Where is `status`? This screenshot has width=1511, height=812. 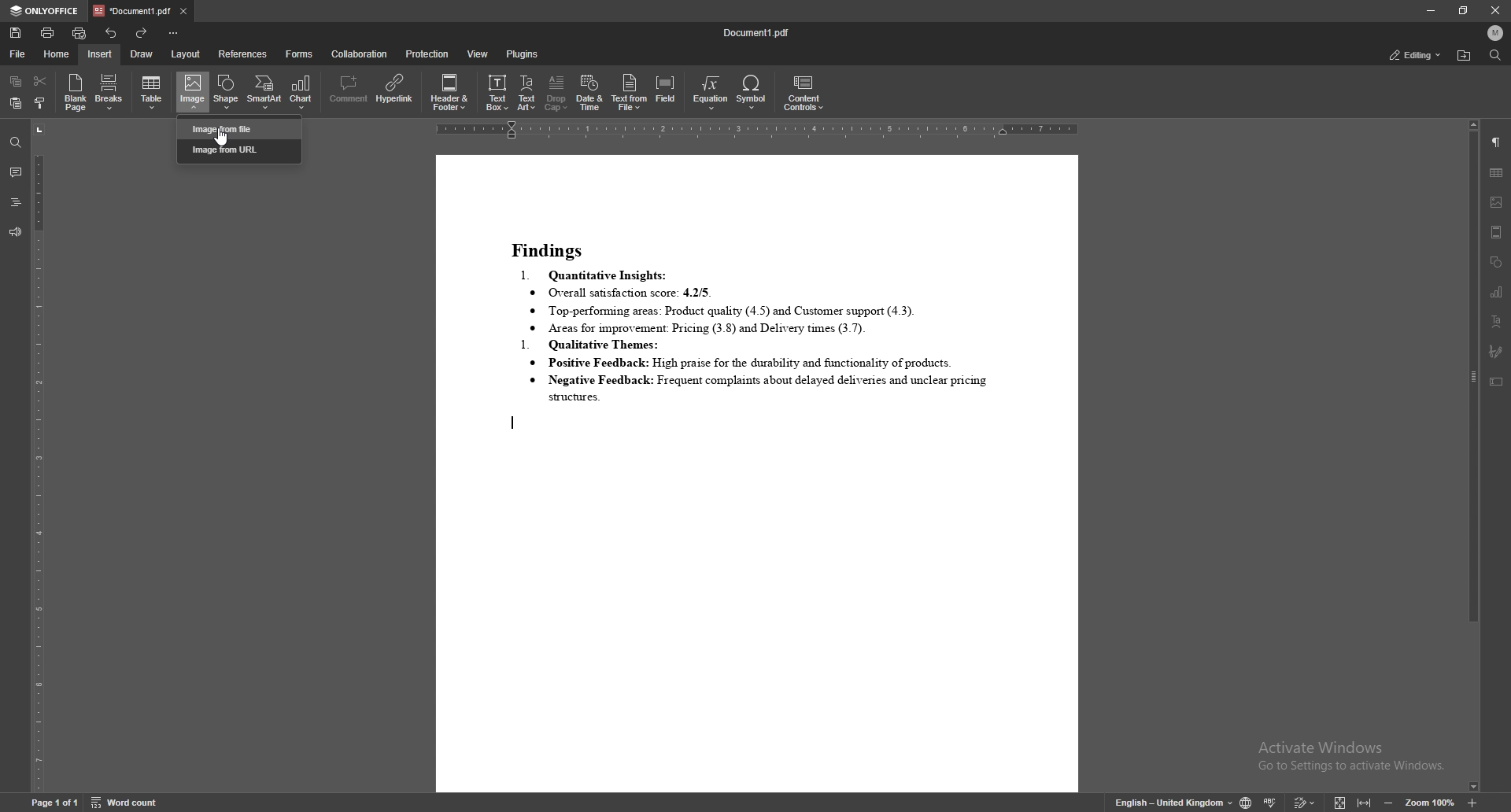 status is located at coordinates (1413, 54).